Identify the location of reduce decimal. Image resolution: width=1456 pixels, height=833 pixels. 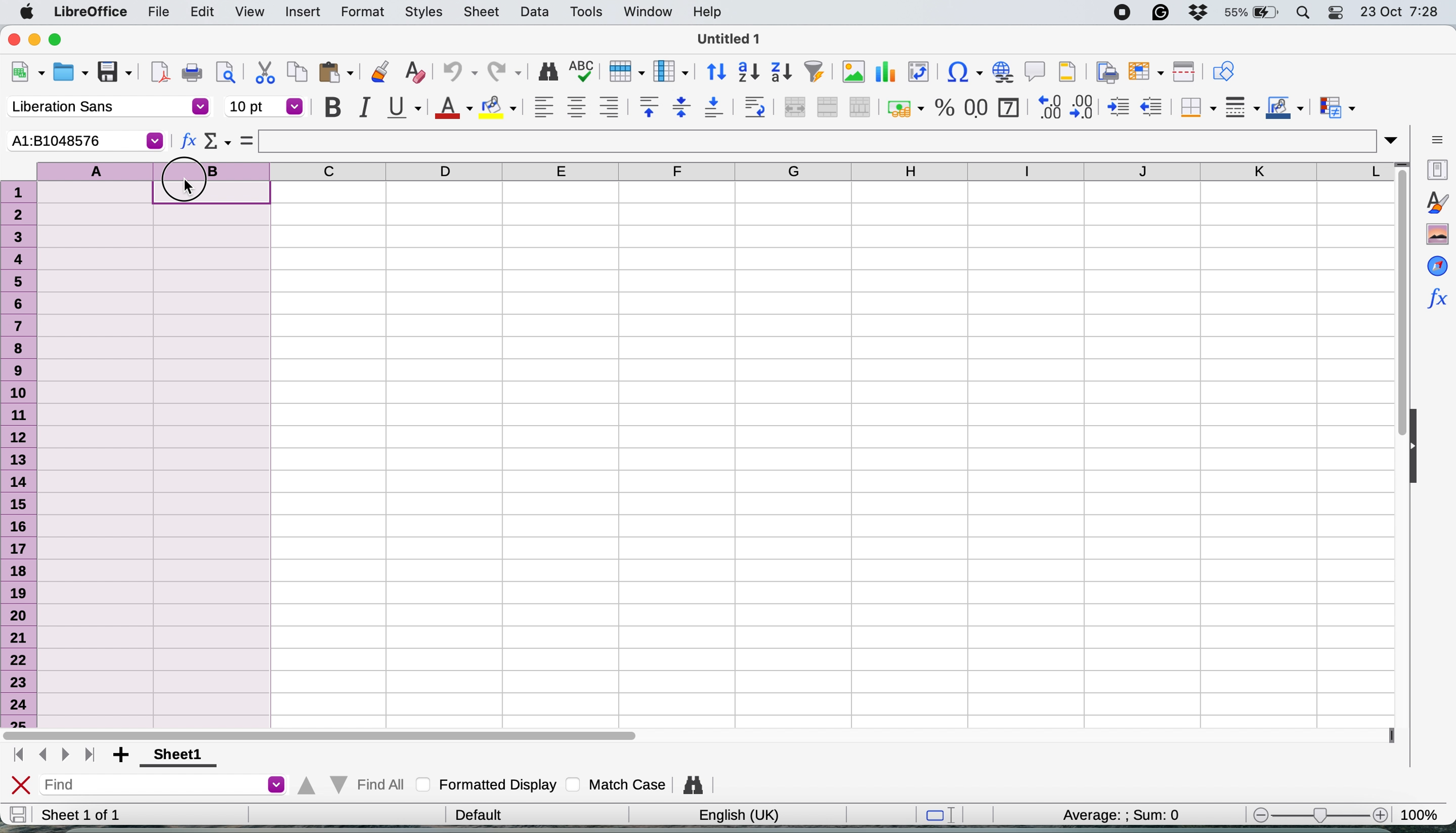
(1084, 106).